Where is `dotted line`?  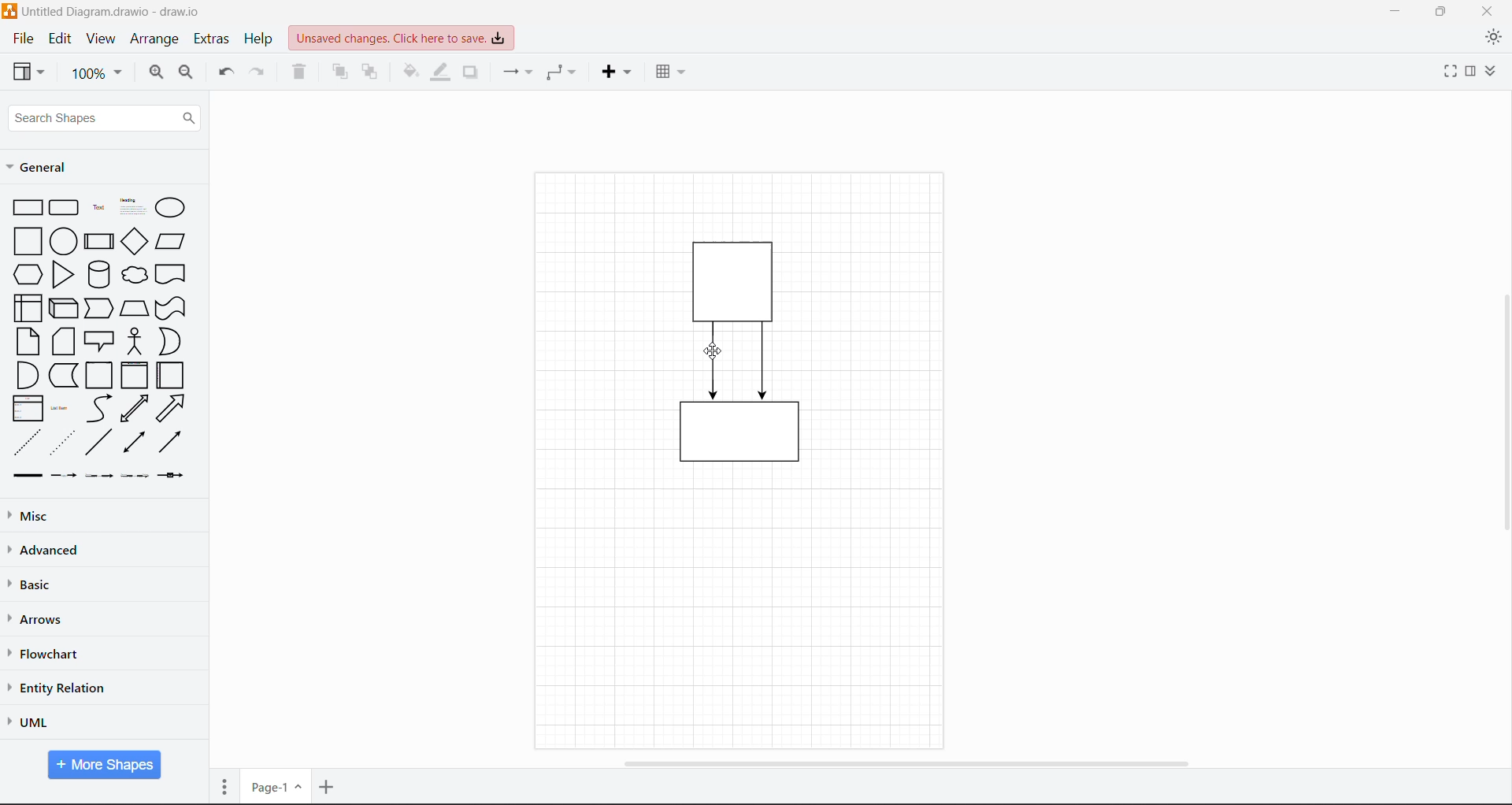
dotted line is located at coordinates (62, 442).